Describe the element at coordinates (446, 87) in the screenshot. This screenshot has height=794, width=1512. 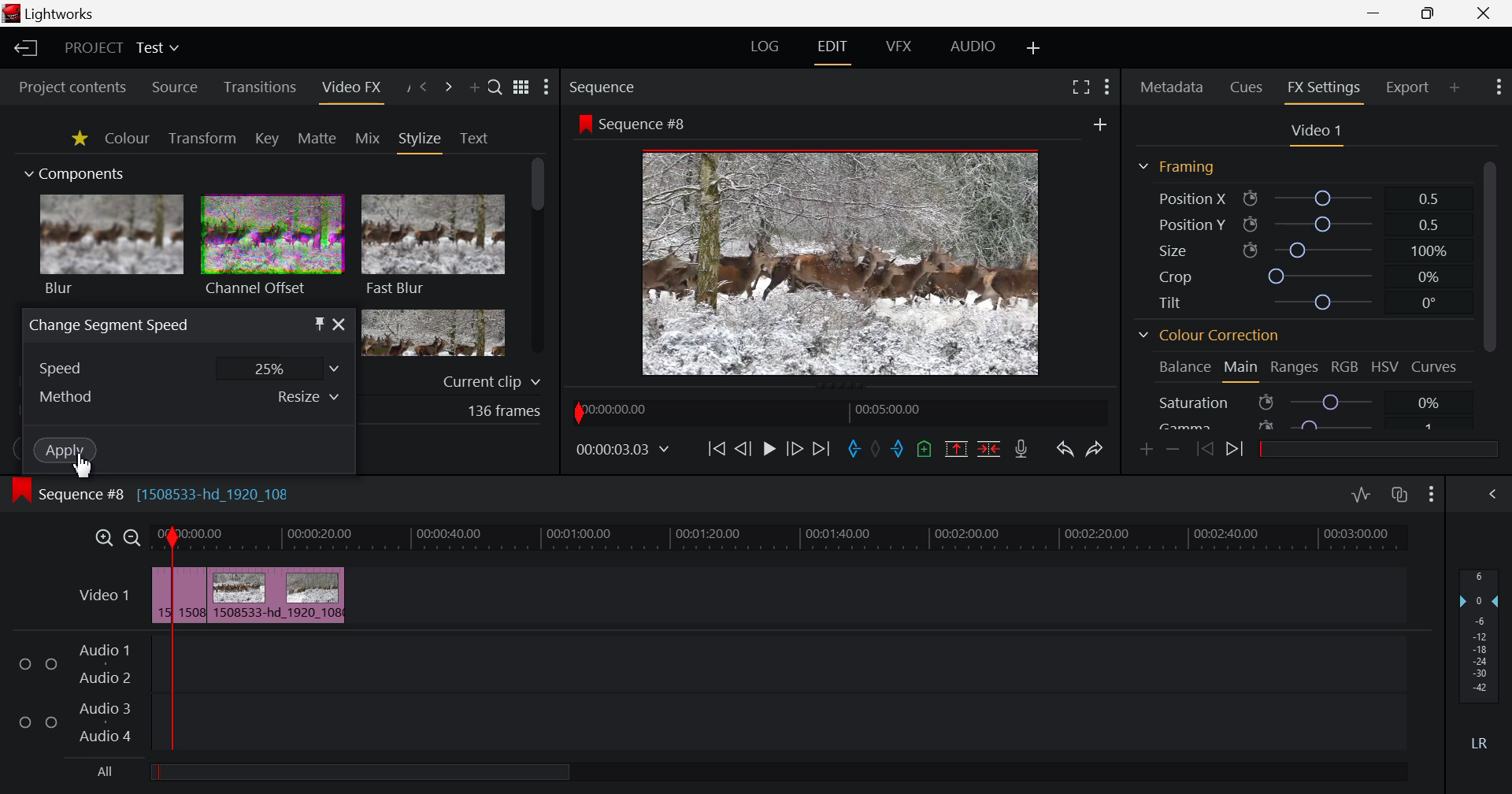
I see `Next Panel` at that location.